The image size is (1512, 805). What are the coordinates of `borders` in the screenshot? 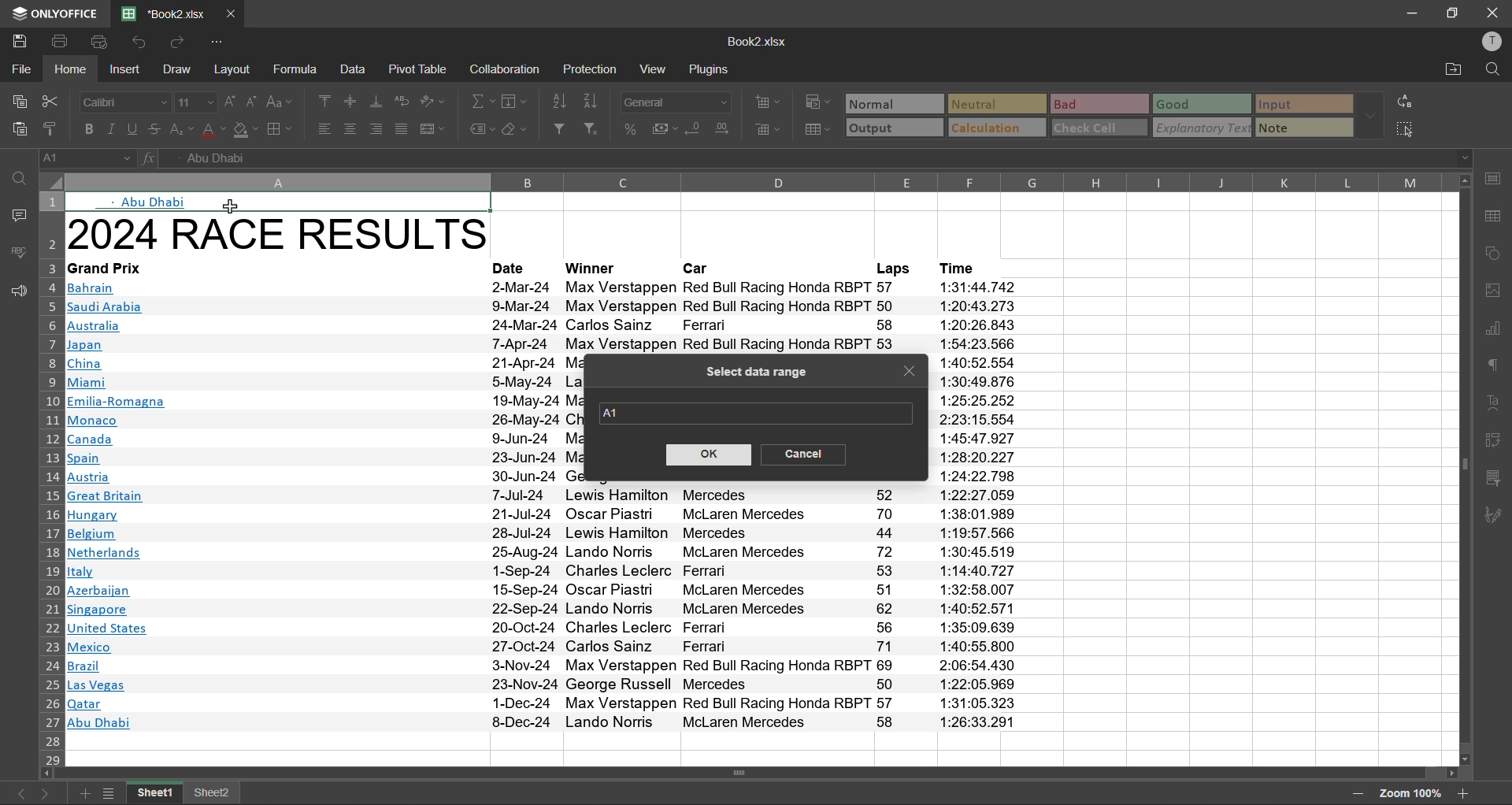 It's located at (279, 130).